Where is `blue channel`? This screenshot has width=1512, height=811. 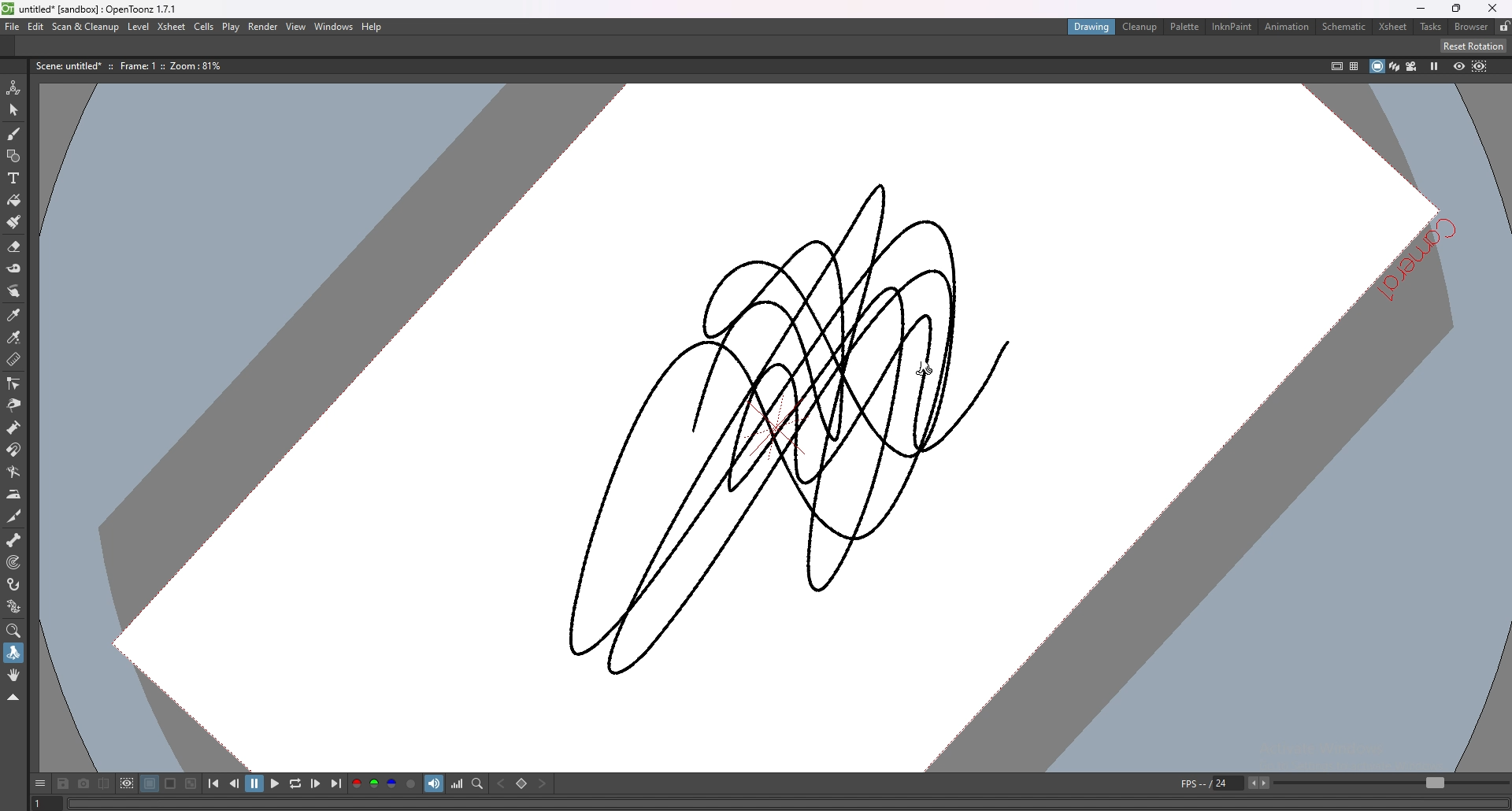 blue channel is located at coordinates (391, 783).